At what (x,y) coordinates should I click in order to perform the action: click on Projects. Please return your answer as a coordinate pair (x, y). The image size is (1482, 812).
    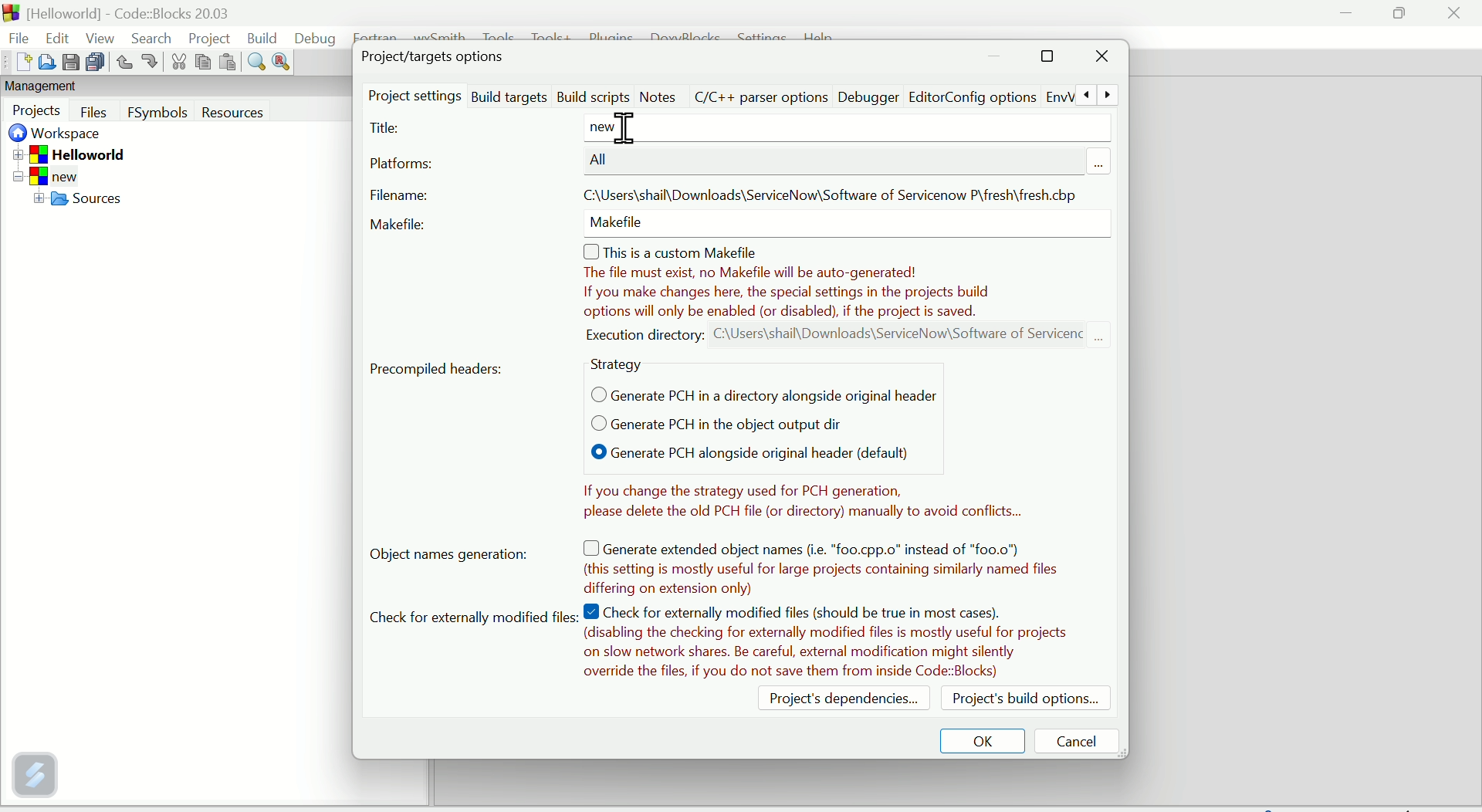
    Looking at the image, I should click on (38, 111).